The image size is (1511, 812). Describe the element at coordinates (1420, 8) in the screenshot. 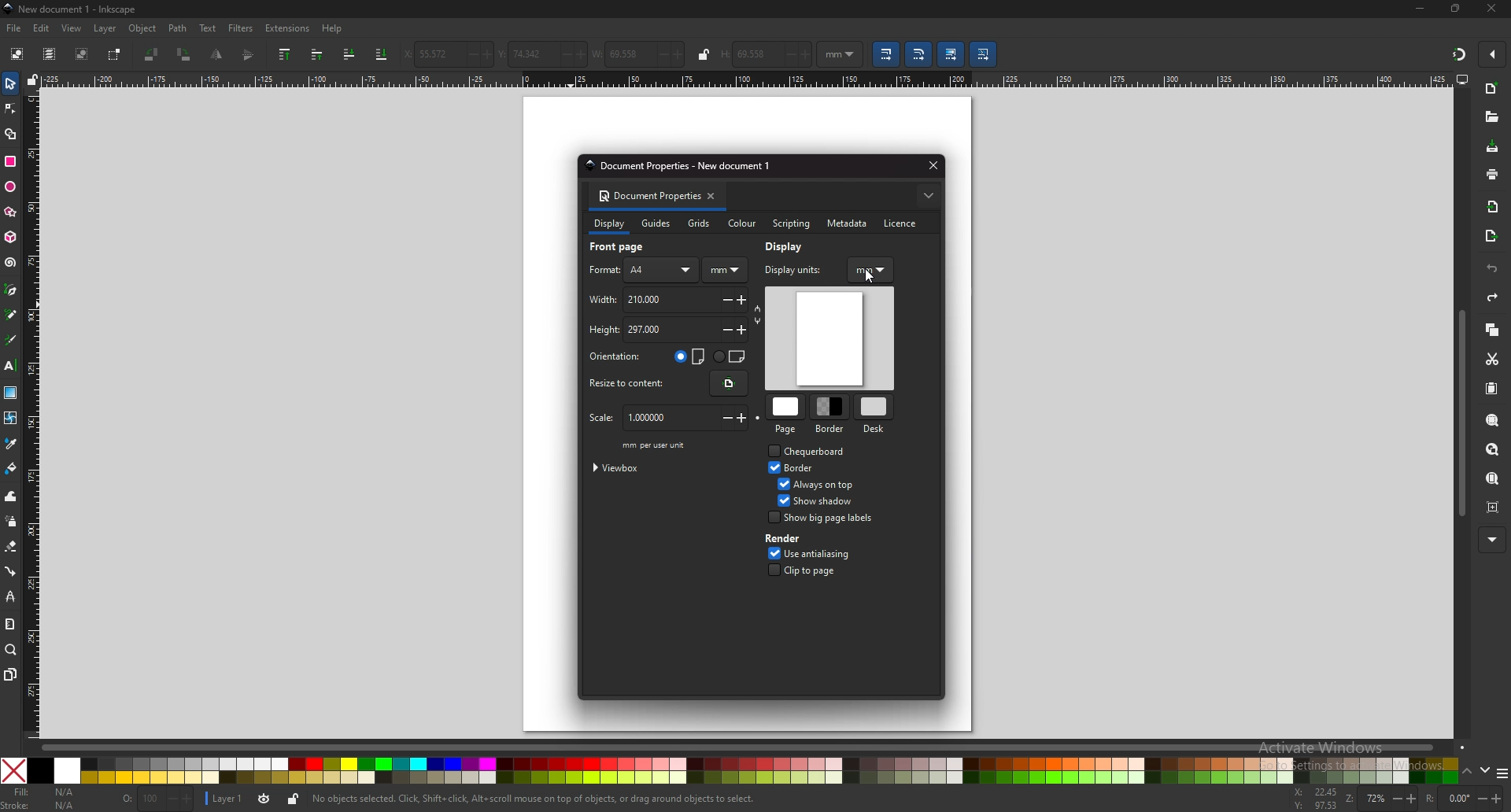

I see `minimize` at that location.